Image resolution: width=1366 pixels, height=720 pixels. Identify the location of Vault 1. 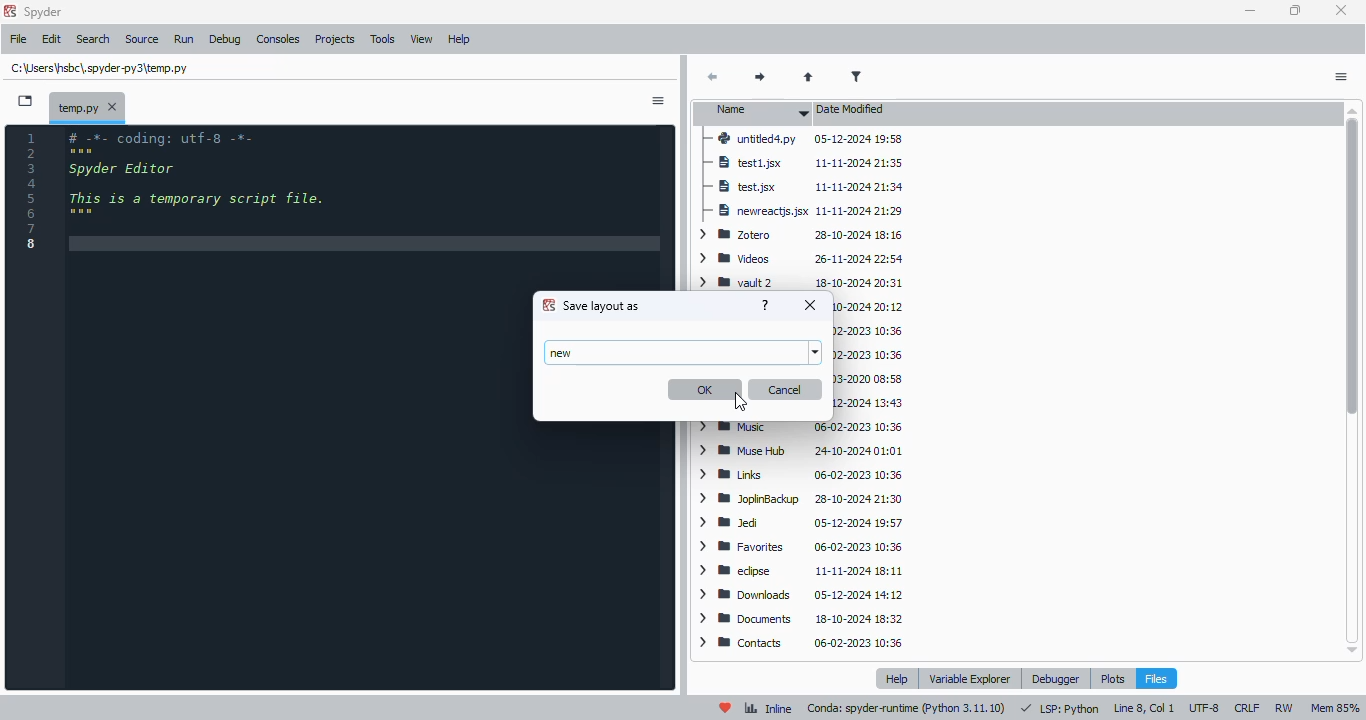
(867, 306).